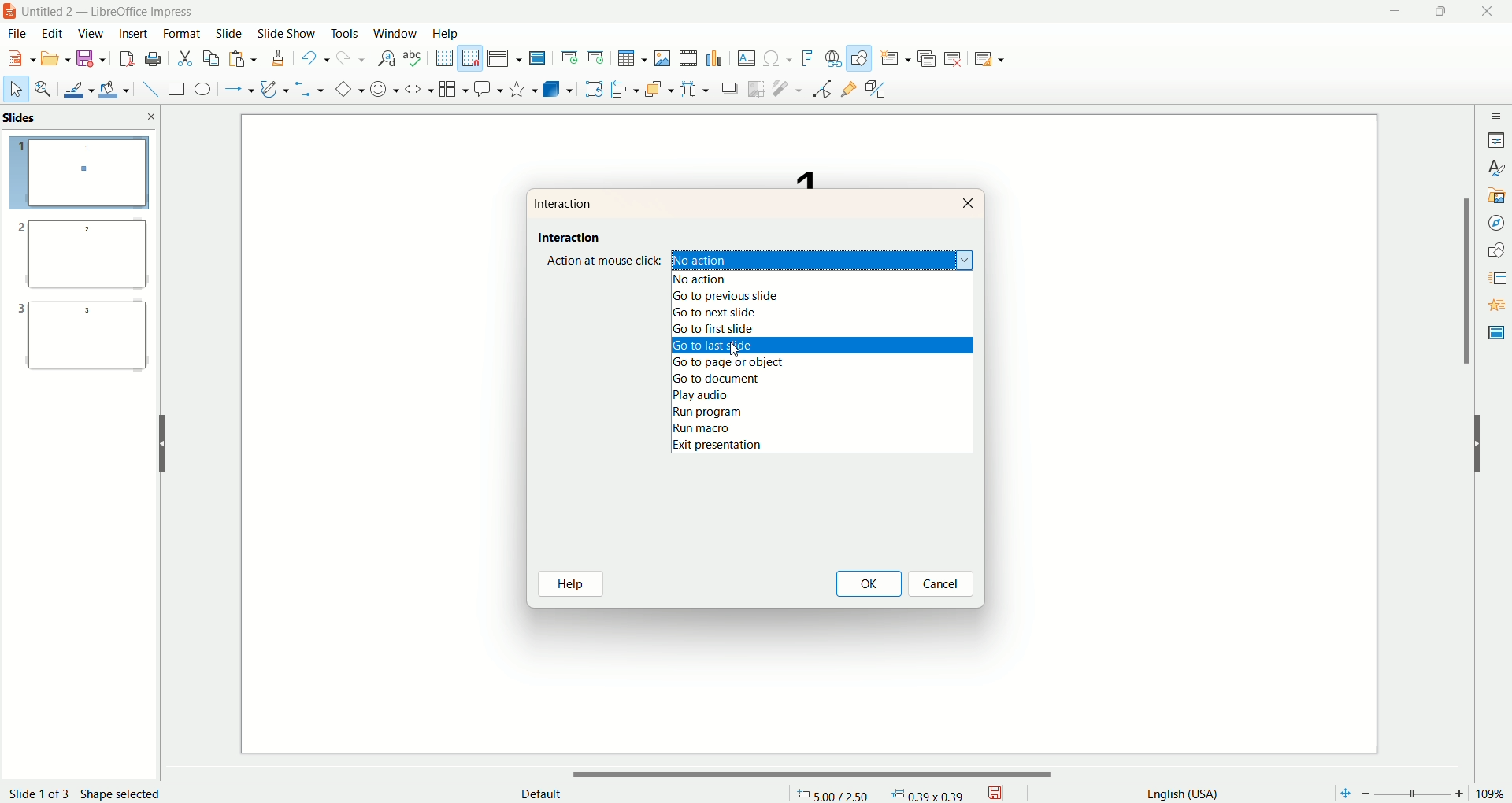 This screenshot has width=1512, height=803. What do you see at coordinates (16, 92) in the screenshot?
I see `select` at bounding box center [16, 92].